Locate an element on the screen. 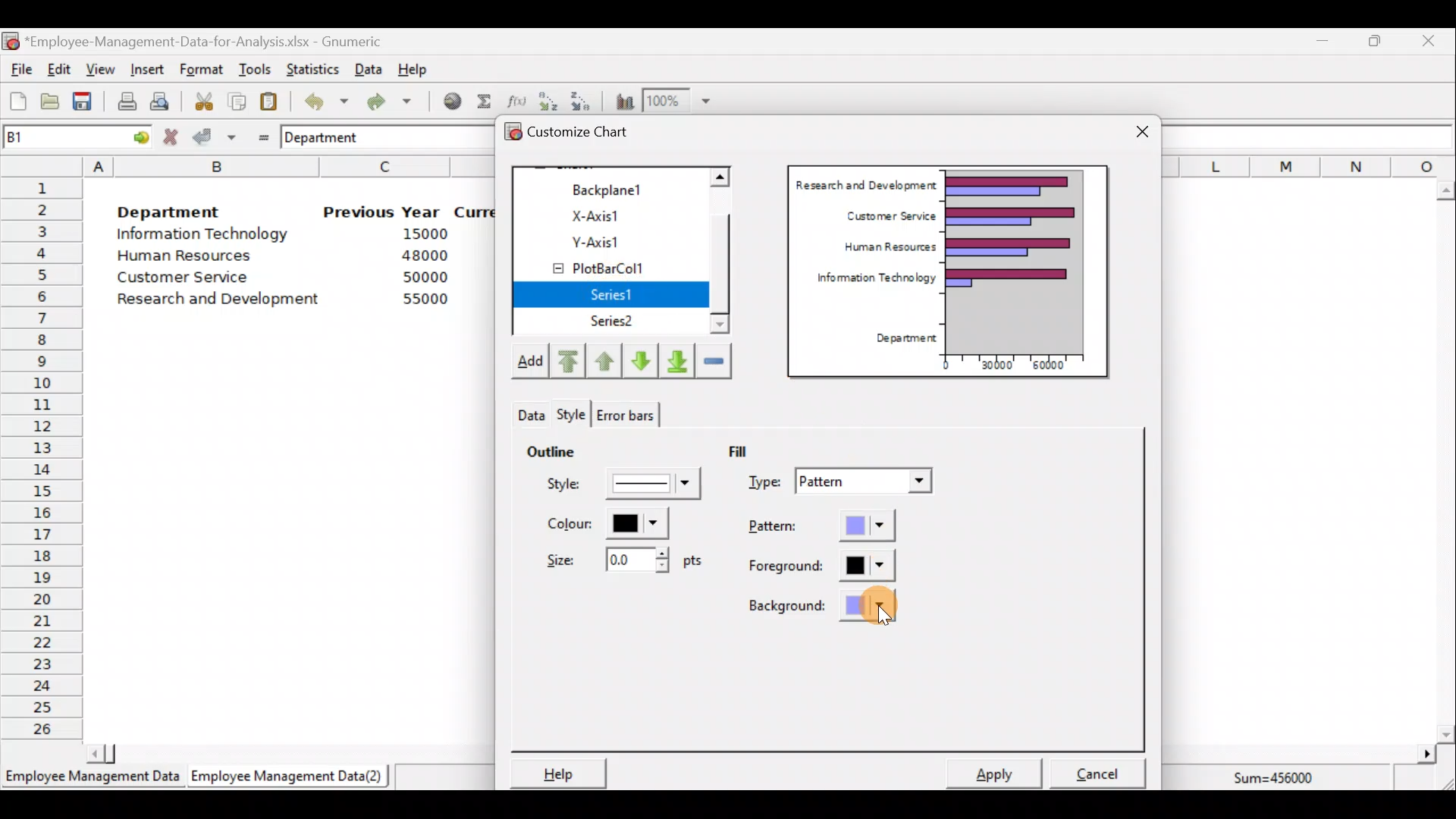 The image size is (1456, 819). Maximize is located at coordinates (1375, 40).